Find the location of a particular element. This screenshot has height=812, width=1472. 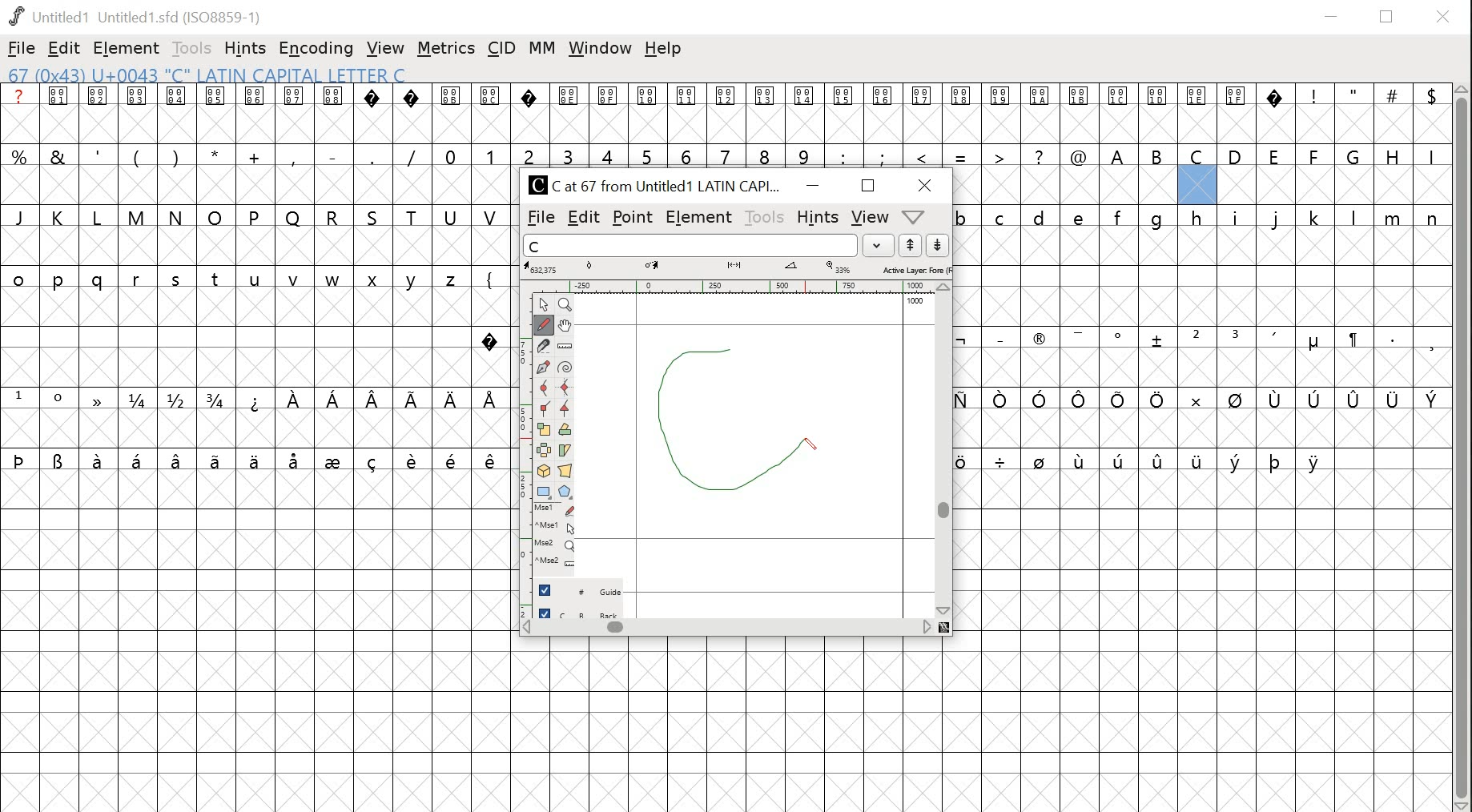

curve is located at coordinates (547, 388).